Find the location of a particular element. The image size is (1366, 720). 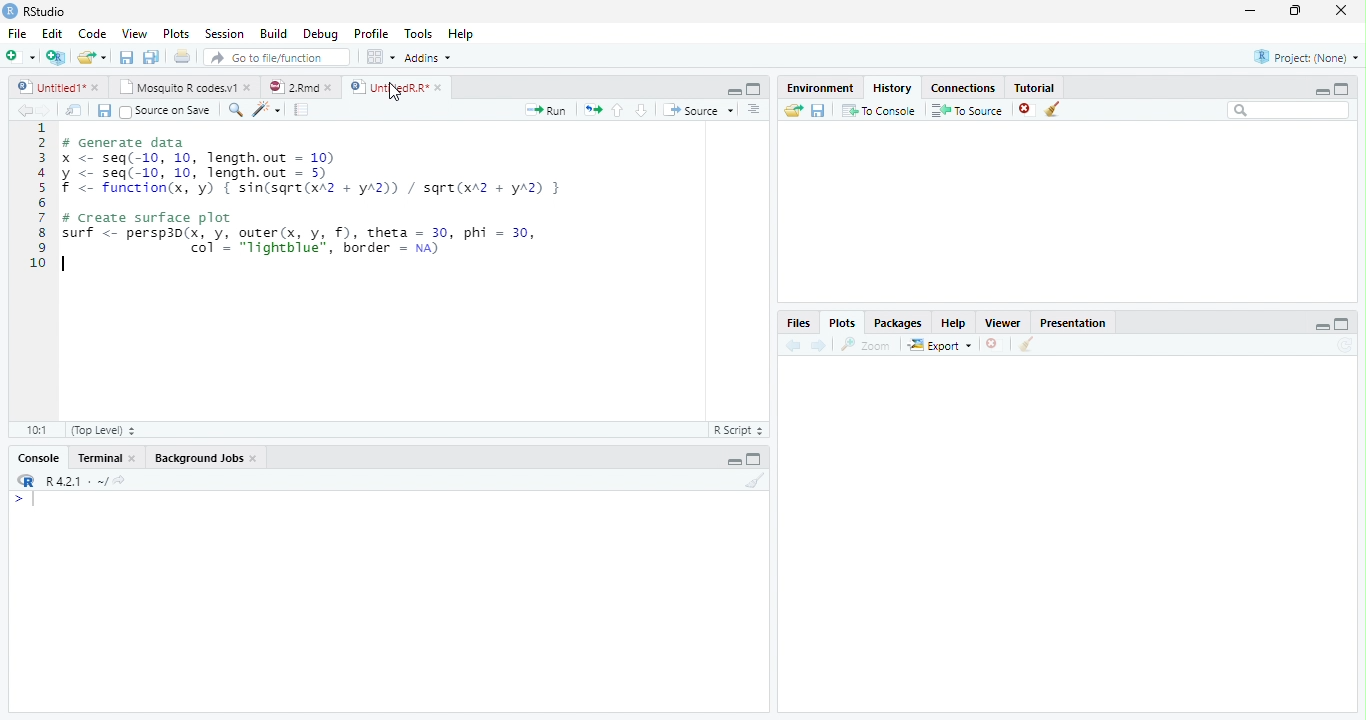

Maximize is located at coordinates (753, 461).